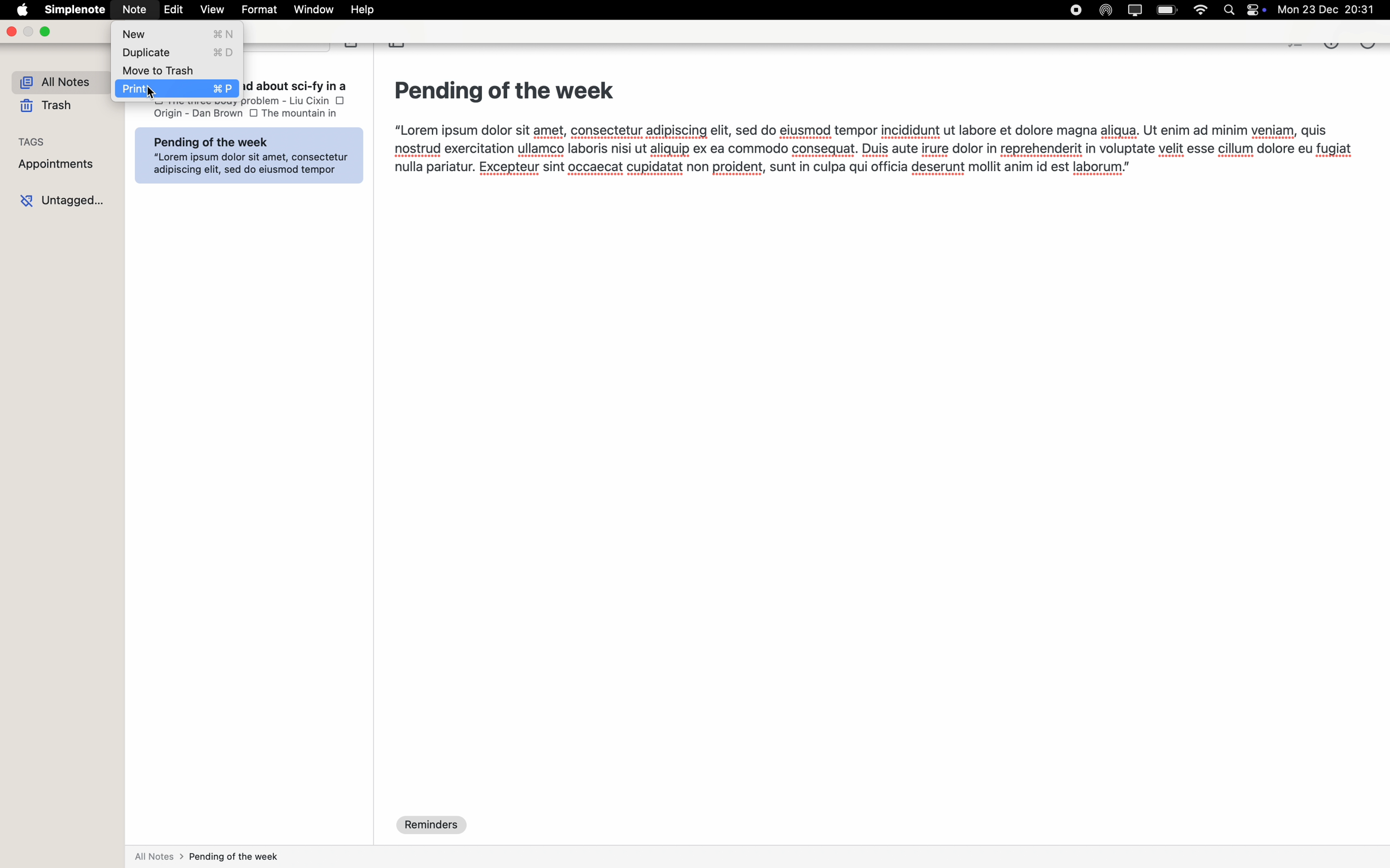  I want to click on search bar, so click(287, 48).